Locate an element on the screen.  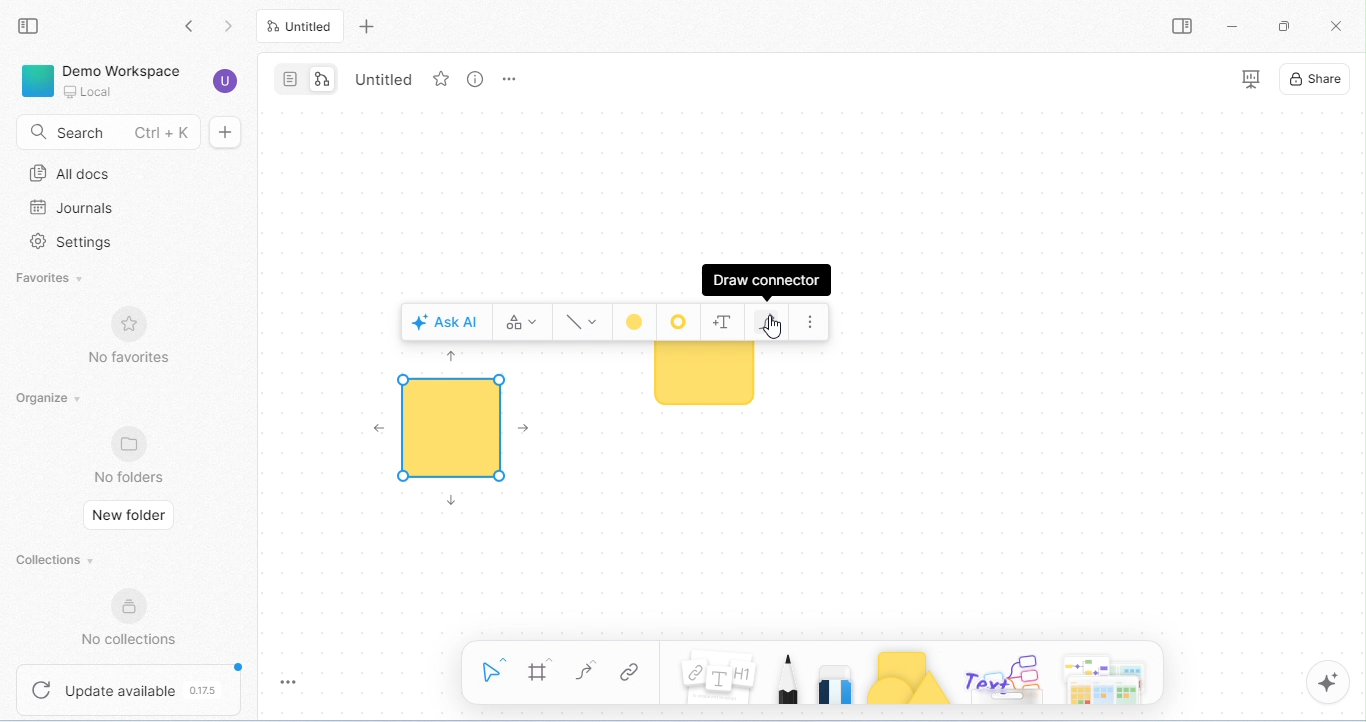
demo workspace is located at coordinates (101, 79).